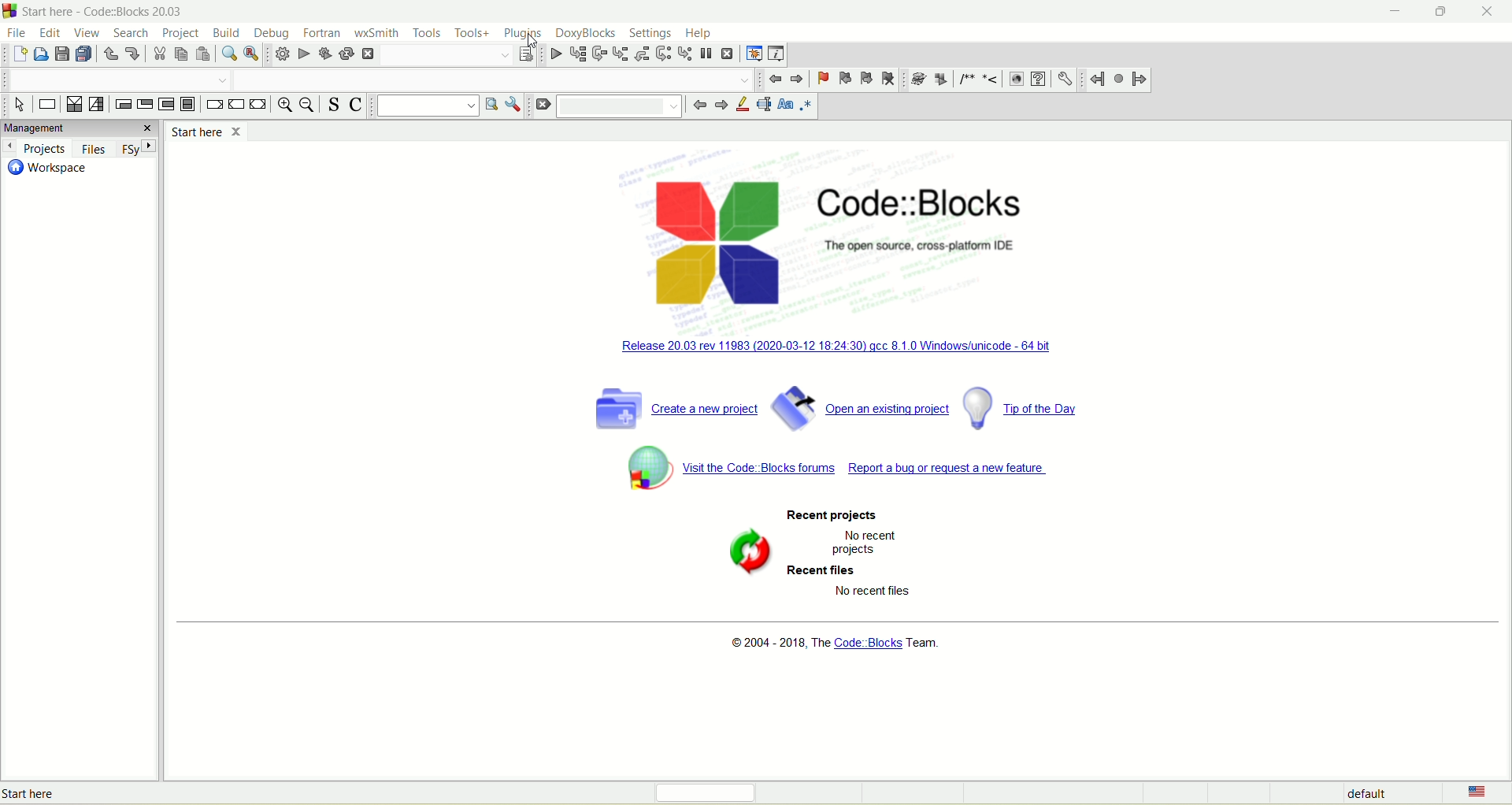 Image resolution: width=1512 pixels, height=805 pixels. What do you see at coordinates (272, 32) in the screenshot?
I see `debug` at bounding box center [272, 32].